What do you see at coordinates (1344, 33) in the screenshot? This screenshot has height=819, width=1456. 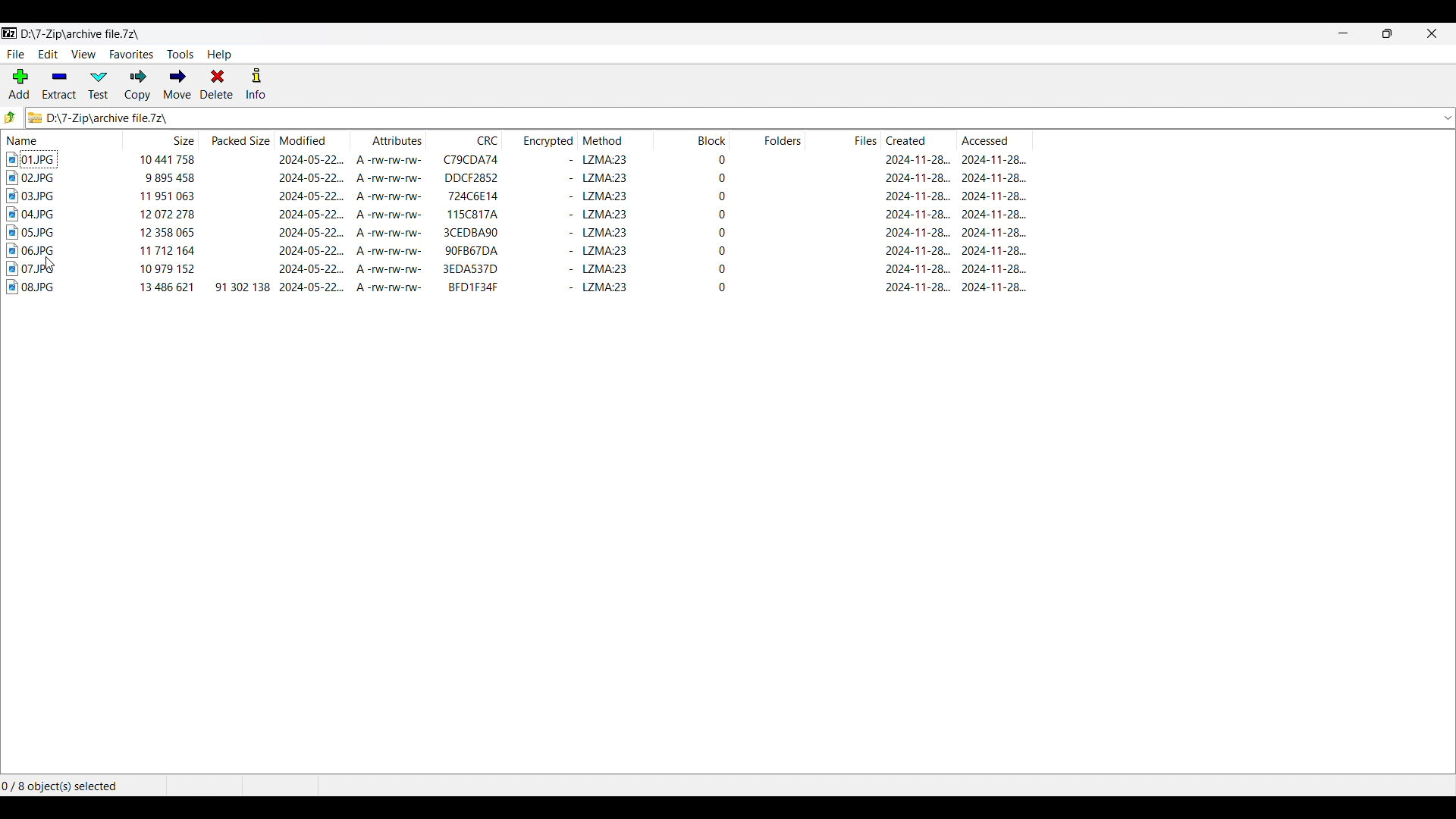 I see `Minimize` at bounding box center [1344, 33].